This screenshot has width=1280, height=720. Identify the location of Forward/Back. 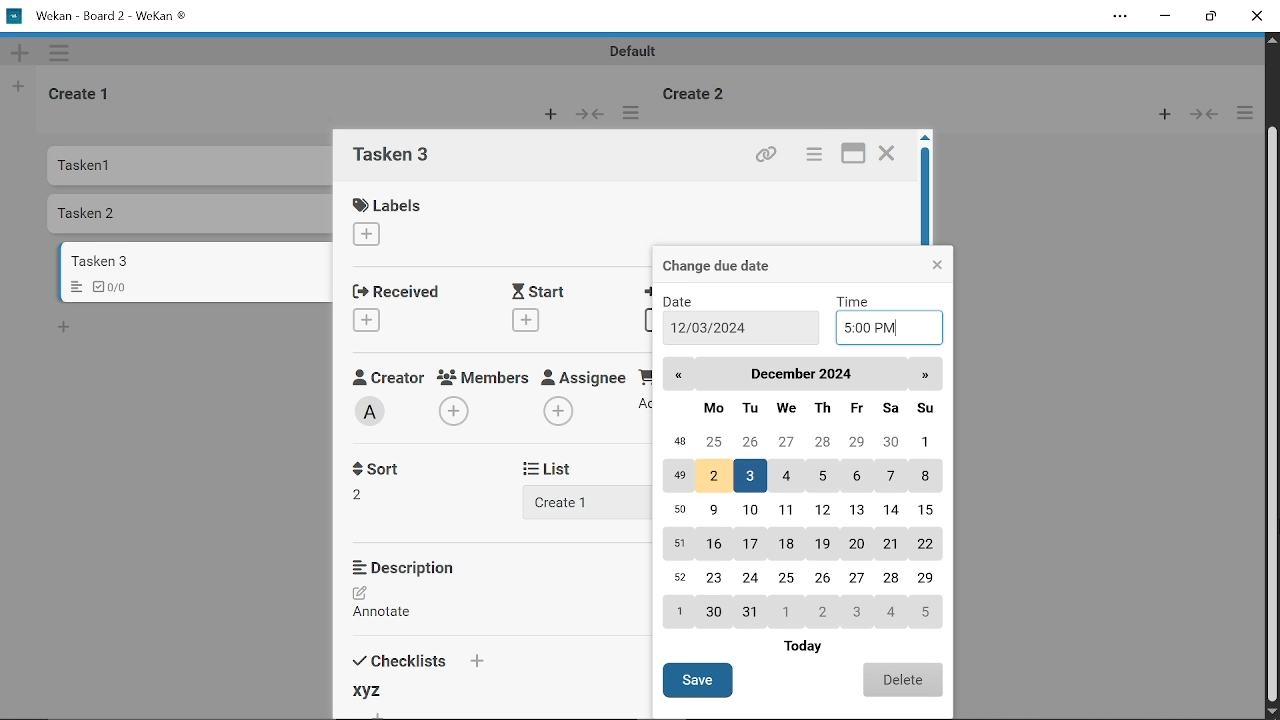
(1200, 116).